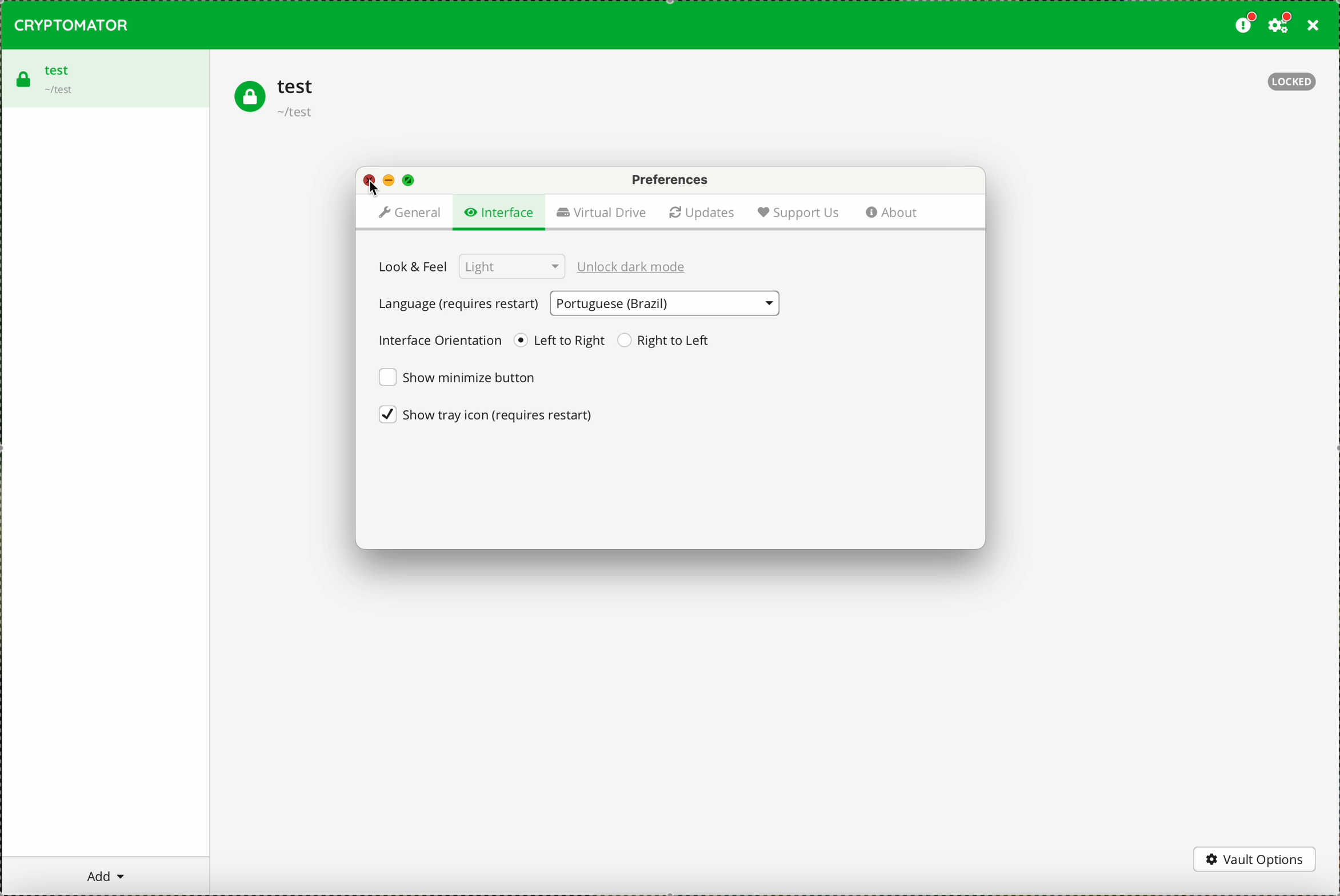  Describe the element at coordinates (104, 78) in the screenshot. I see `test vault` at that location.